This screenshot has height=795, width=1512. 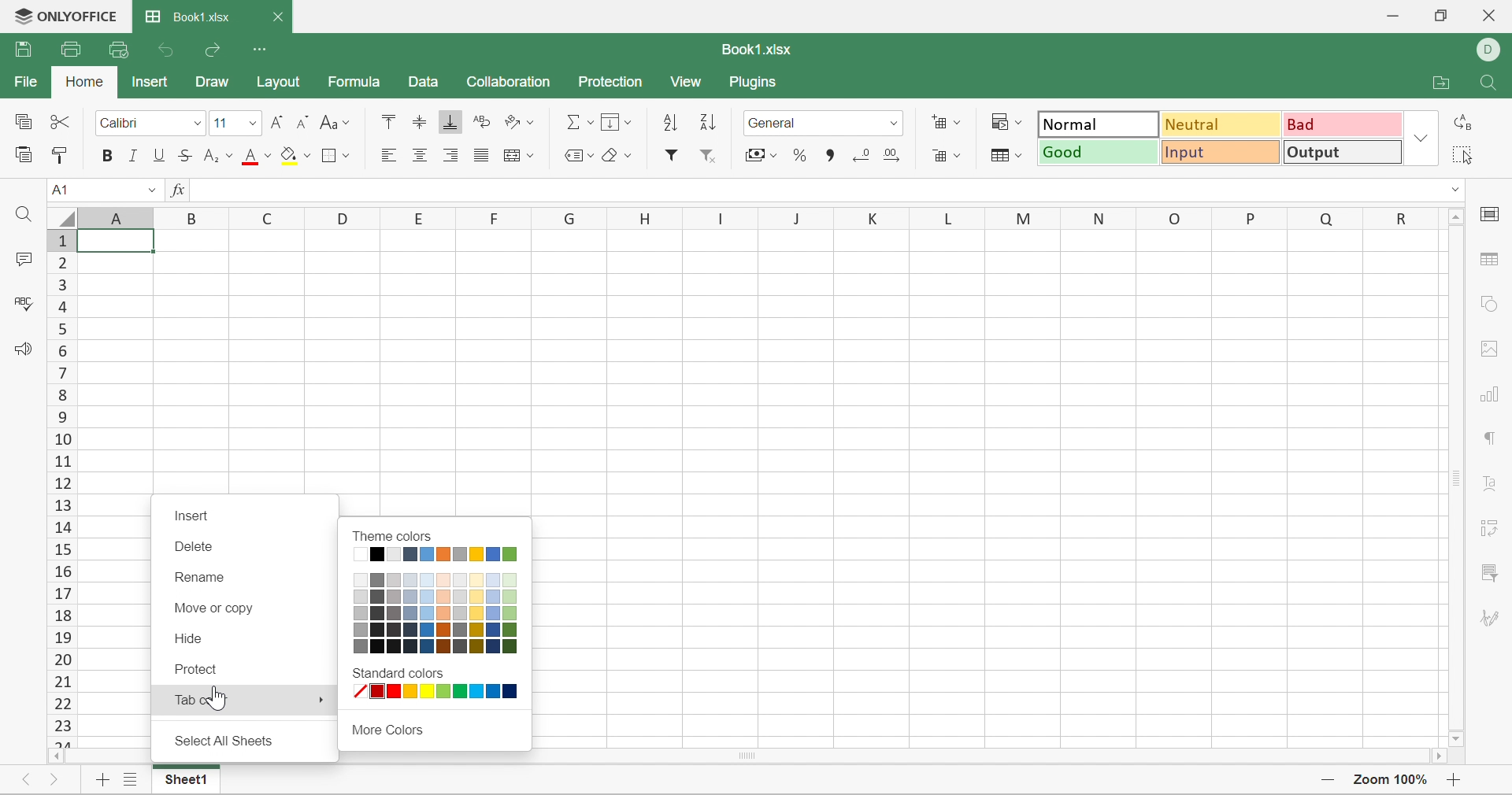 I want to click on Copy, so click(x=24, y=123).